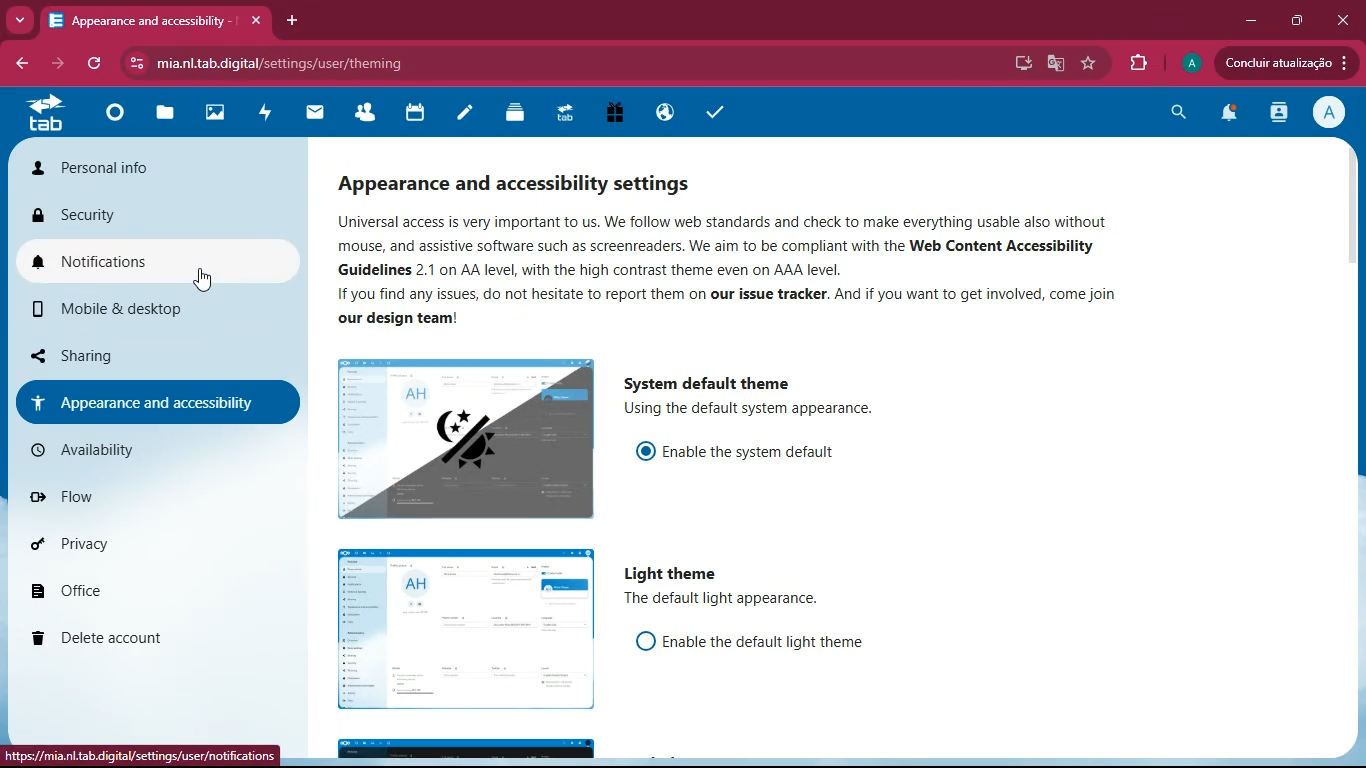 Image resolution: width=1366 pixels, height=768 pixels. Describe the element at coordinates (421, 113) in the screenshot. I see `calendar` at that location.